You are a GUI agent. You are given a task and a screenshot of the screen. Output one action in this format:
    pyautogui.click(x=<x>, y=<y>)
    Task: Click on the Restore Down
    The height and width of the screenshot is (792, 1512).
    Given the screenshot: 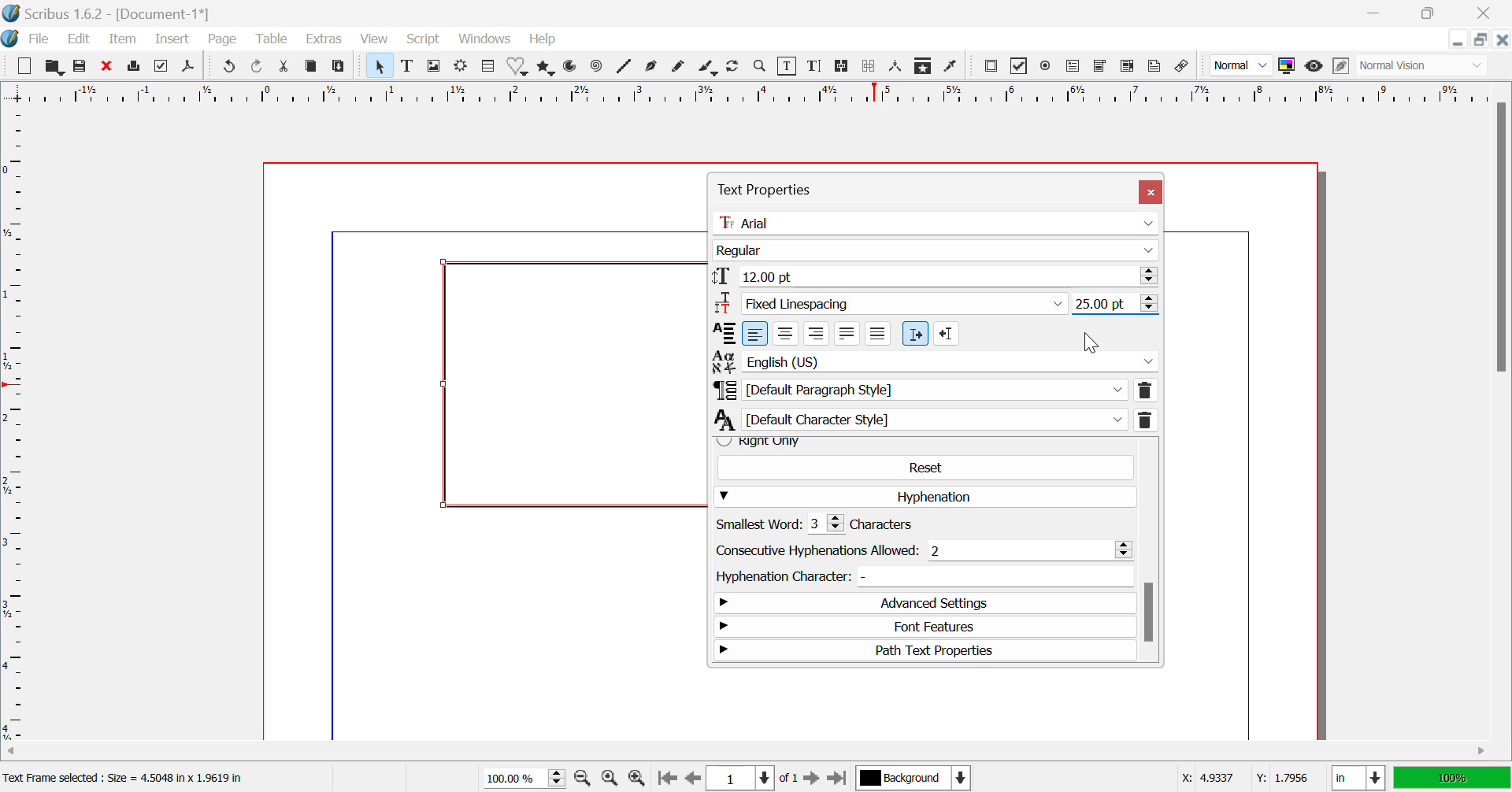 What is the action you would take?
    pyautogui.click(x=1378, y=12)
    